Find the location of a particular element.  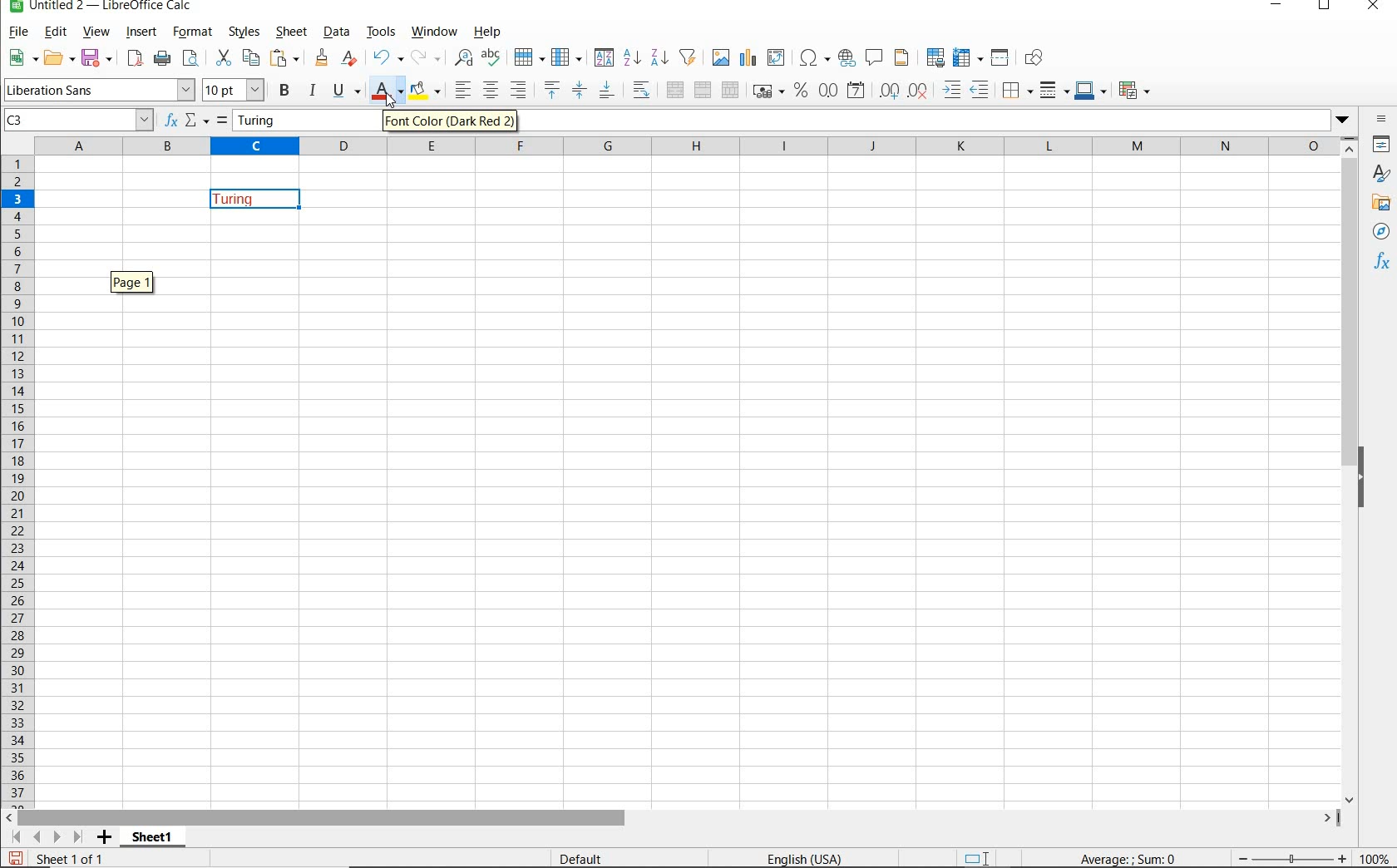

DEFAULT is located at coordinates (581, 856).